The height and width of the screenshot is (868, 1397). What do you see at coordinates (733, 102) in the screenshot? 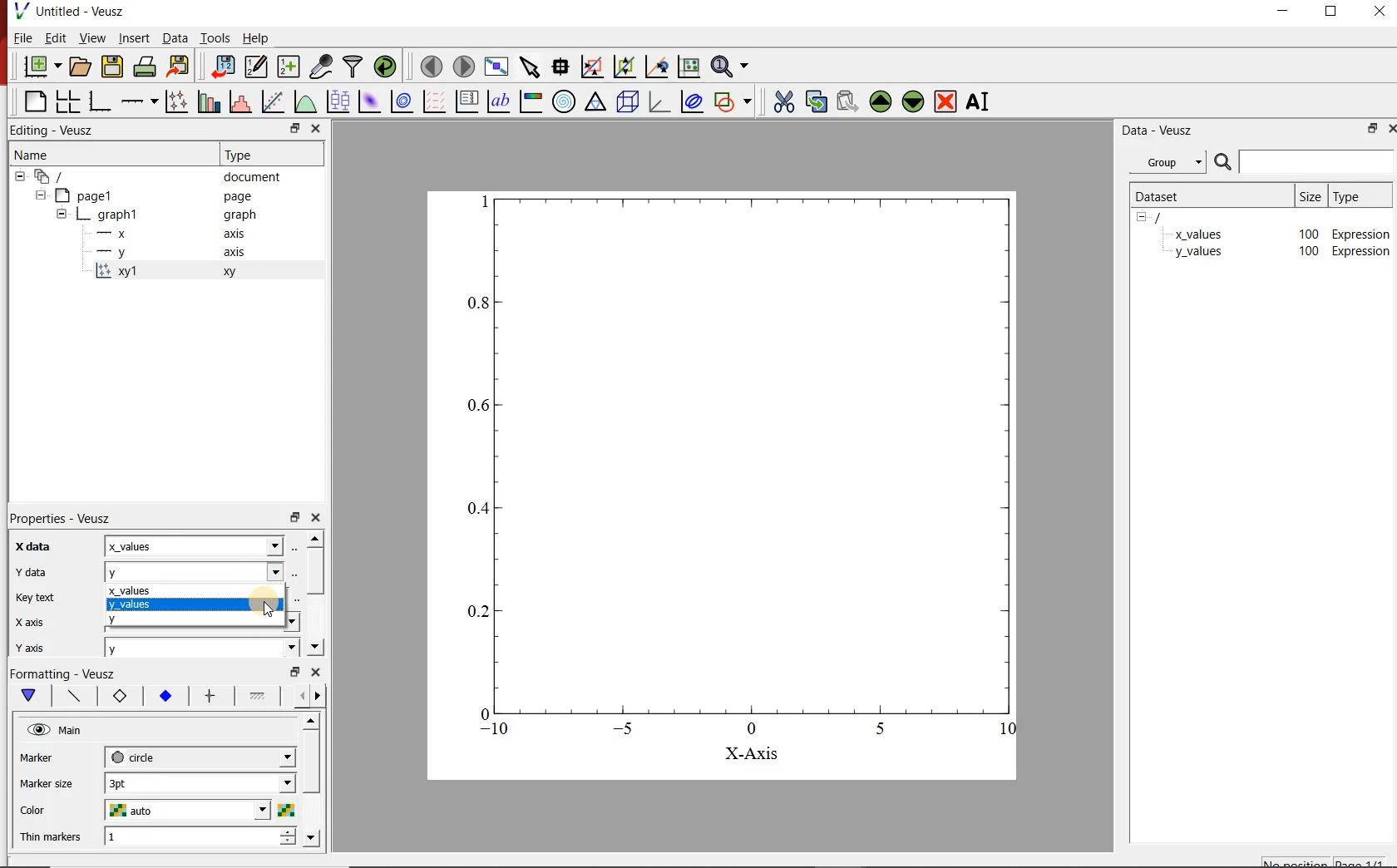
I see `add shape` at bounding box center [733, 102].